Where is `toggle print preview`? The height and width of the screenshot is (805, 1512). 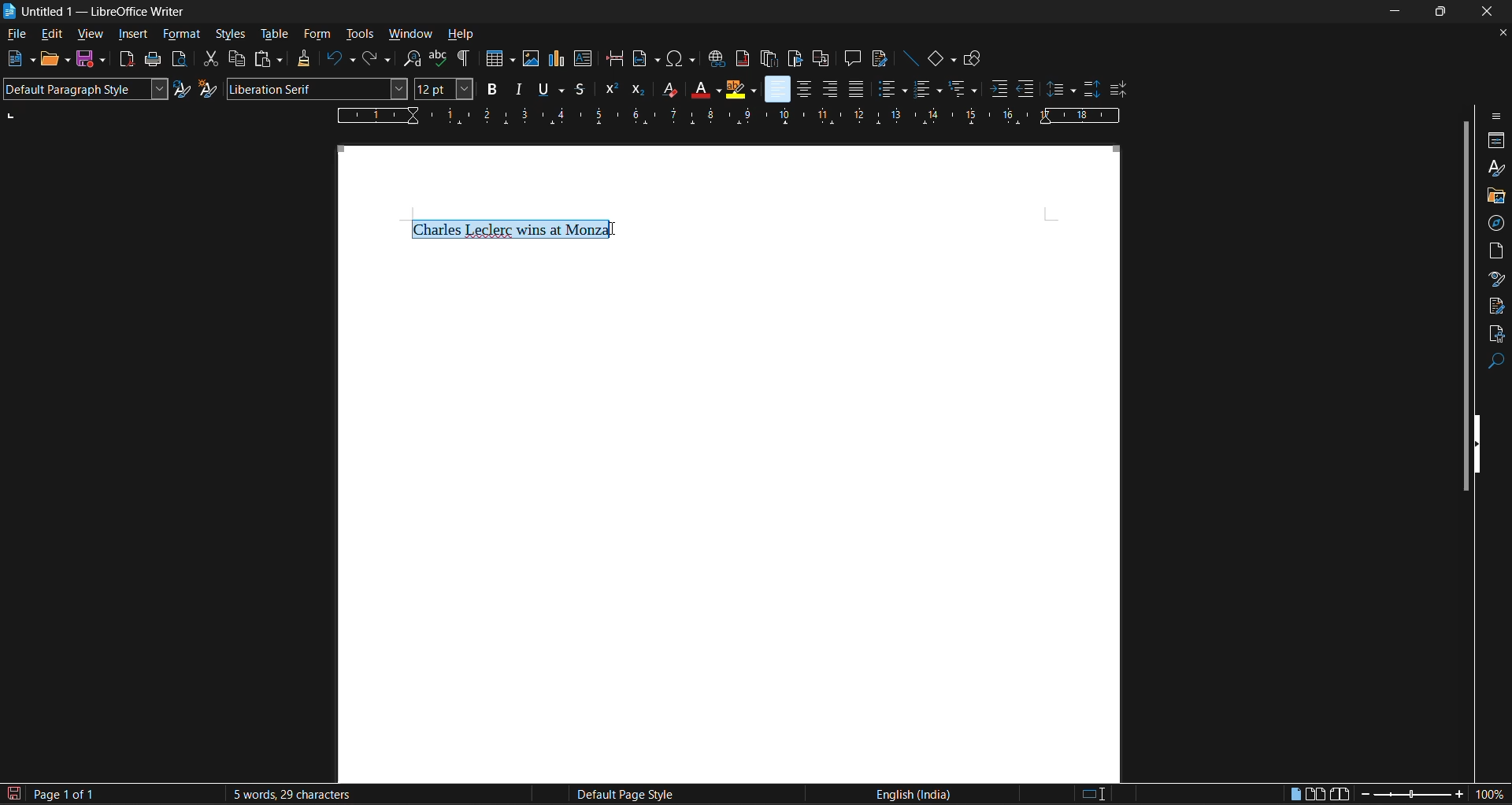
toggle print preview is located at coordinates (178, 58).